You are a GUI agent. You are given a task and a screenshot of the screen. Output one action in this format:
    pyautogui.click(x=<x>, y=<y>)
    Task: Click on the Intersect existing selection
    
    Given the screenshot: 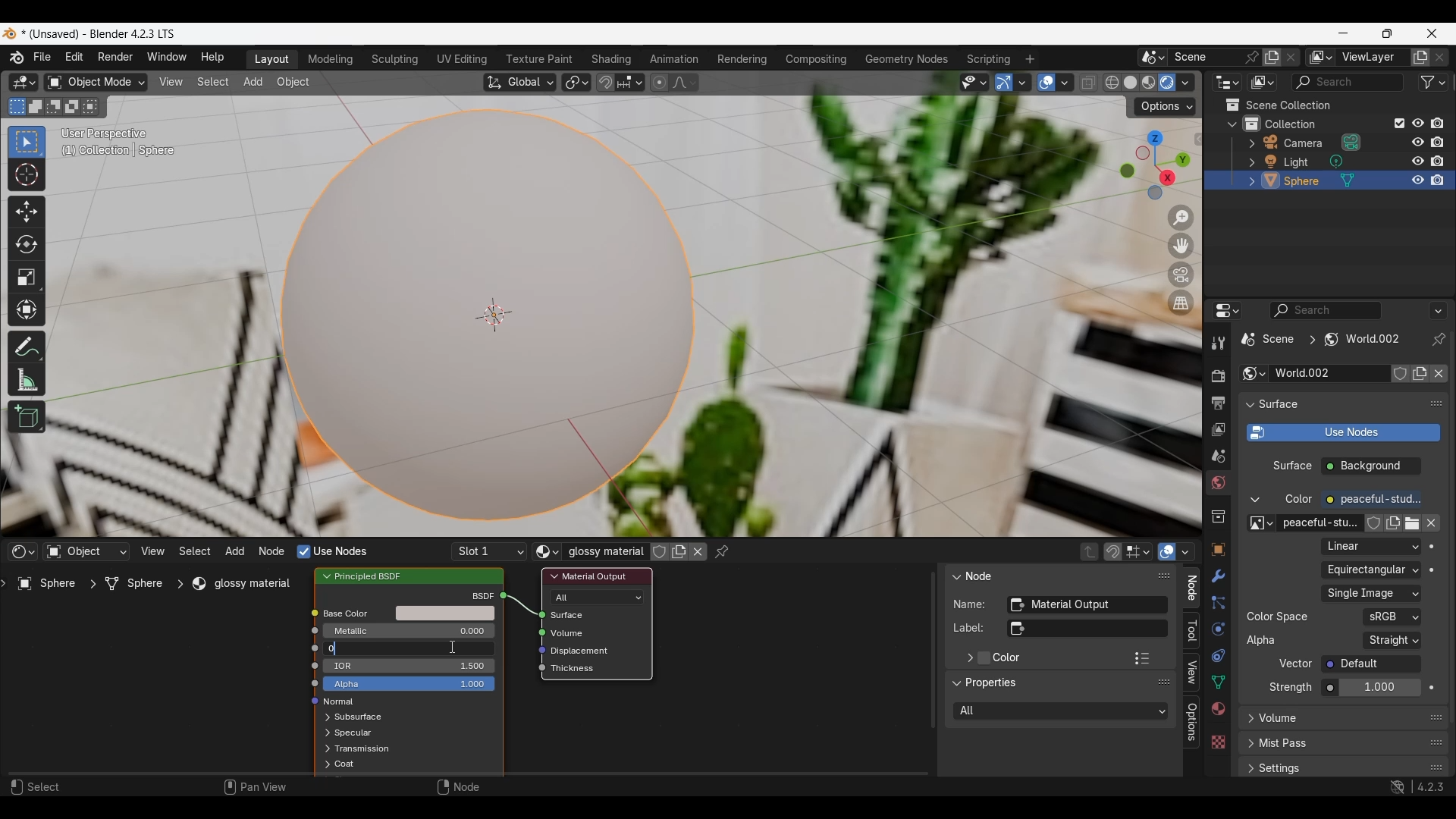 What is the action you would take?
    pyautogui.click(x=90, y=107)
    